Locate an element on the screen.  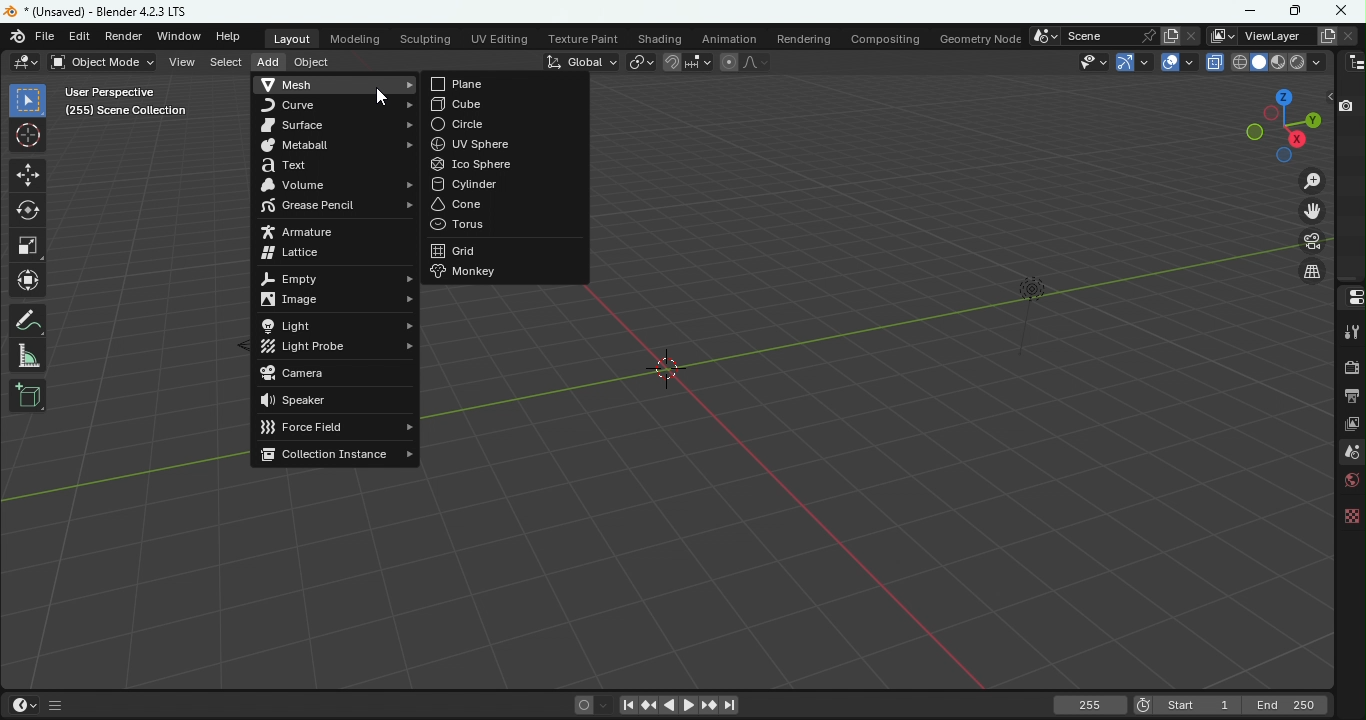
Scene is located at coordinates (1348, 453).